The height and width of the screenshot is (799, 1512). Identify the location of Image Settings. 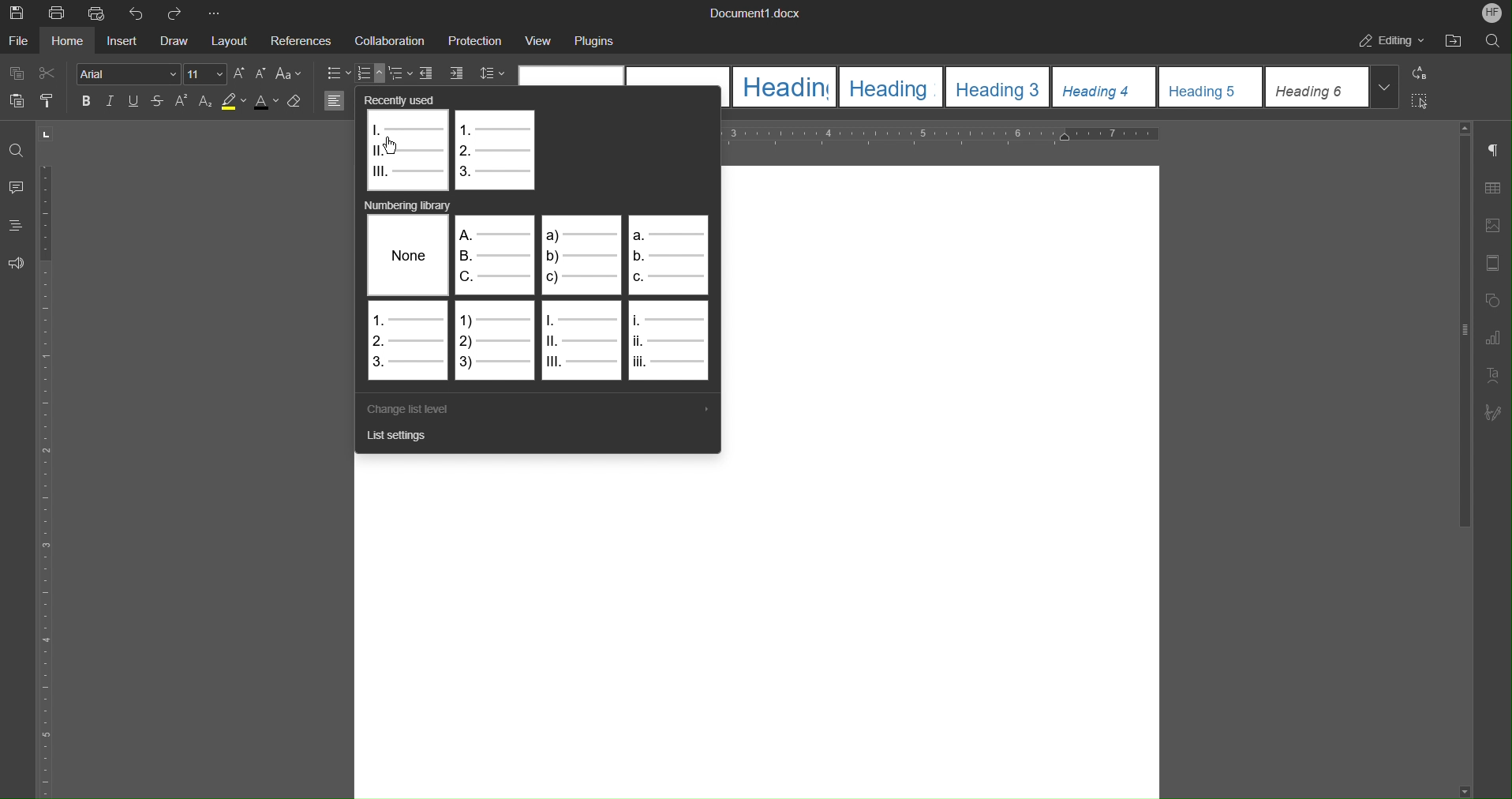
(1491, 225).